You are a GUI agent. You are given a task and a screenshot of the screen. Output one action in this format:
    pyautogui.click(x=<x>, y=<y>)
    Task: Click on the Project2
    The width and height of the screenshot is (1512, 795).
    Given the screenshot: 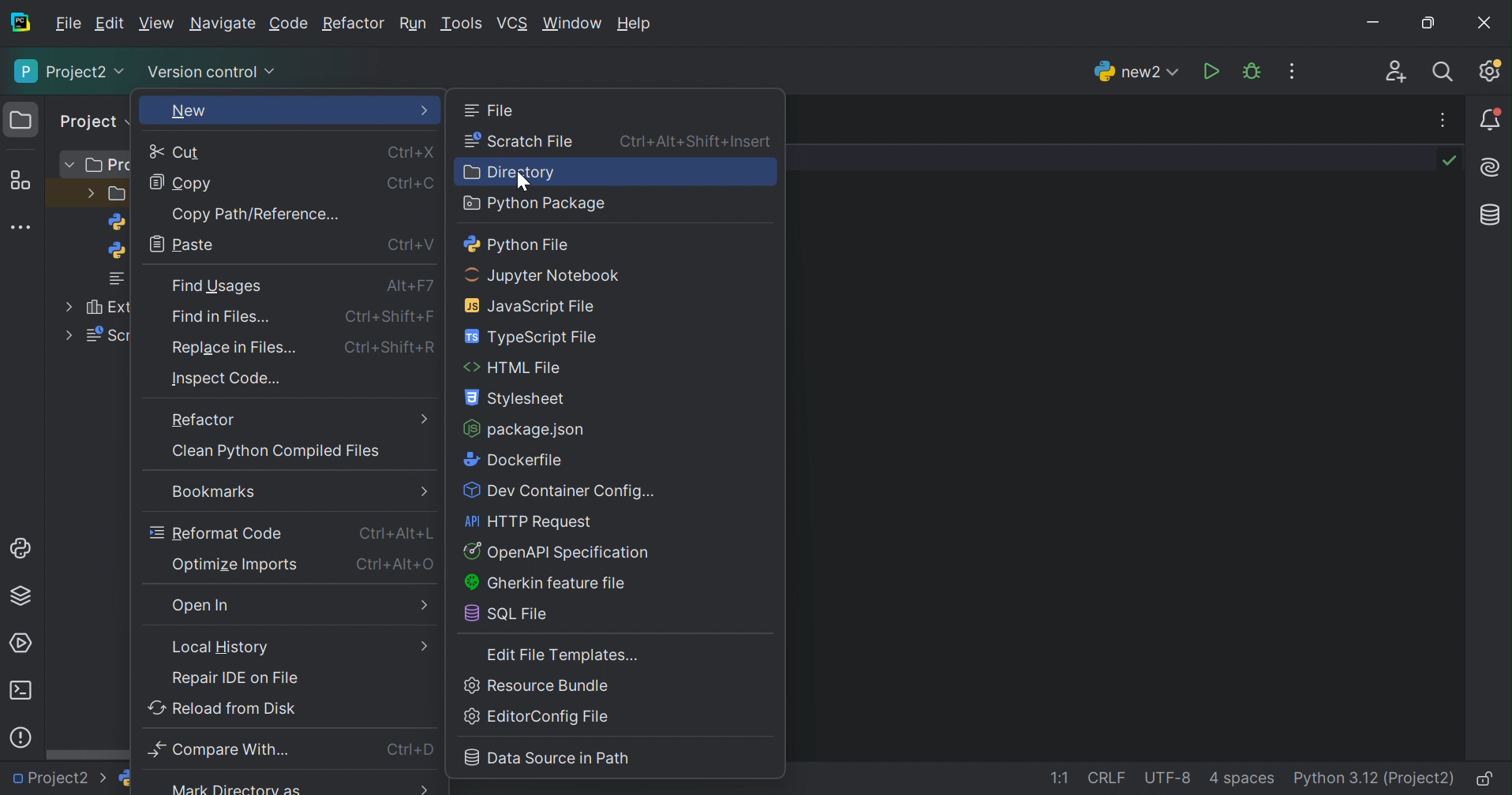 What is the action you would take?
    pyautogui.click(x=58, y=782)
    